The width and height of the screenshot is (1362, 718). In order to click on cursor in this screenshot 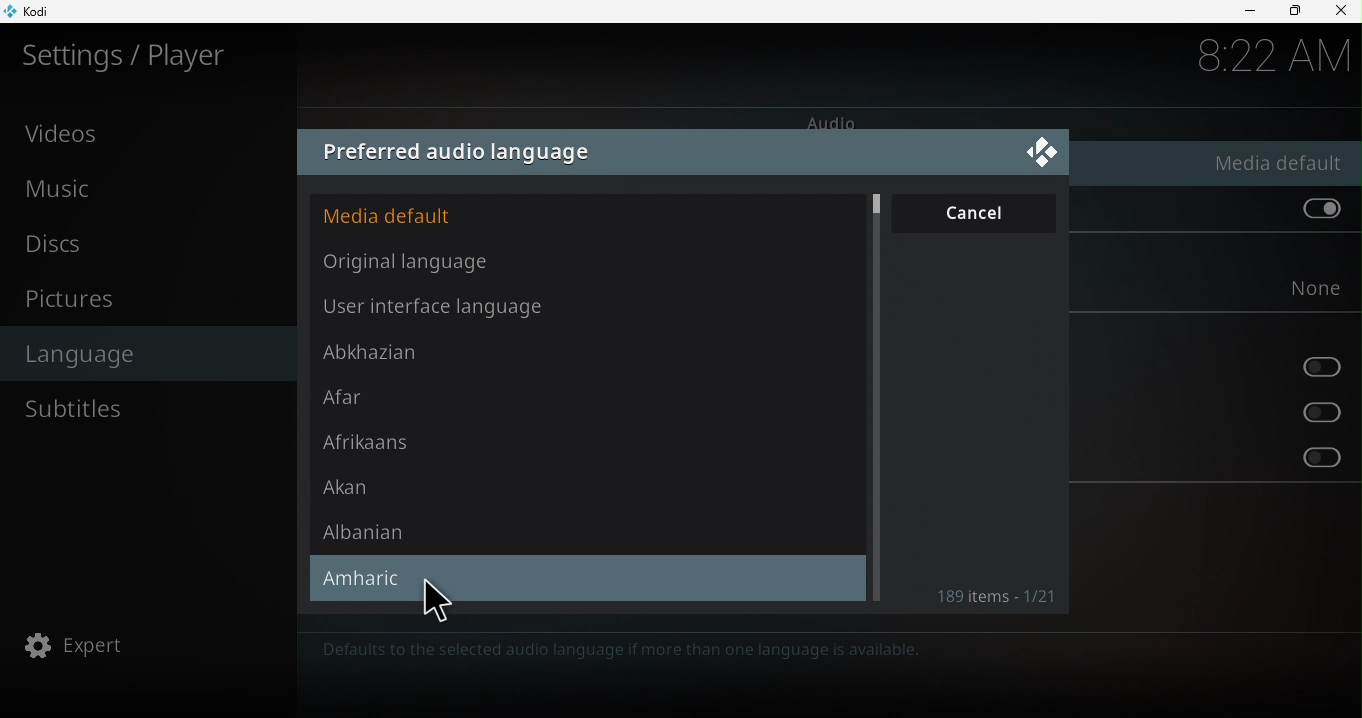, I will do `click(434, 600)`.